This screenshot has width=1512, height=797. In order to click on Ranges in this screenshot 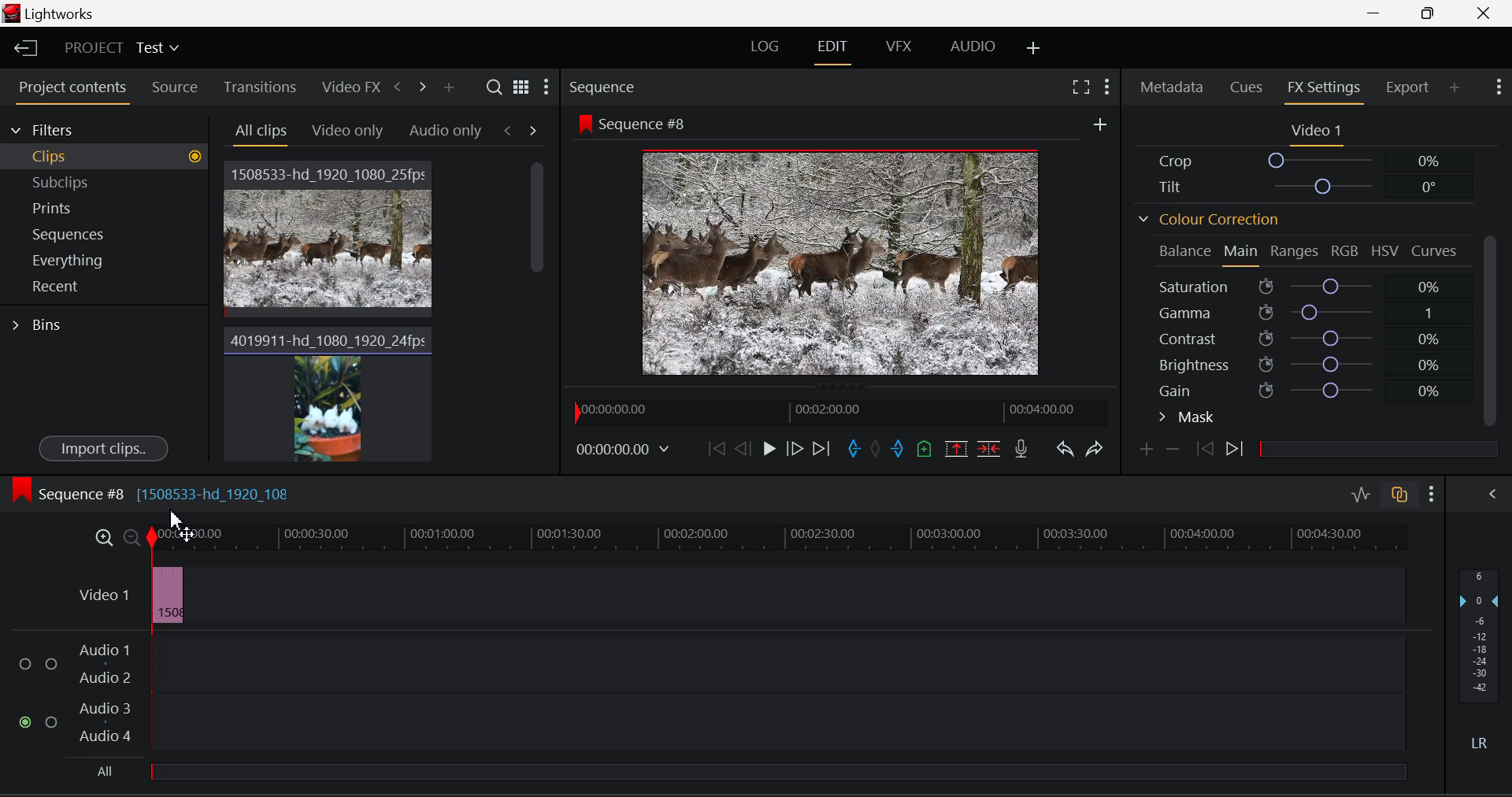, I will do `click(1295, 252)`.